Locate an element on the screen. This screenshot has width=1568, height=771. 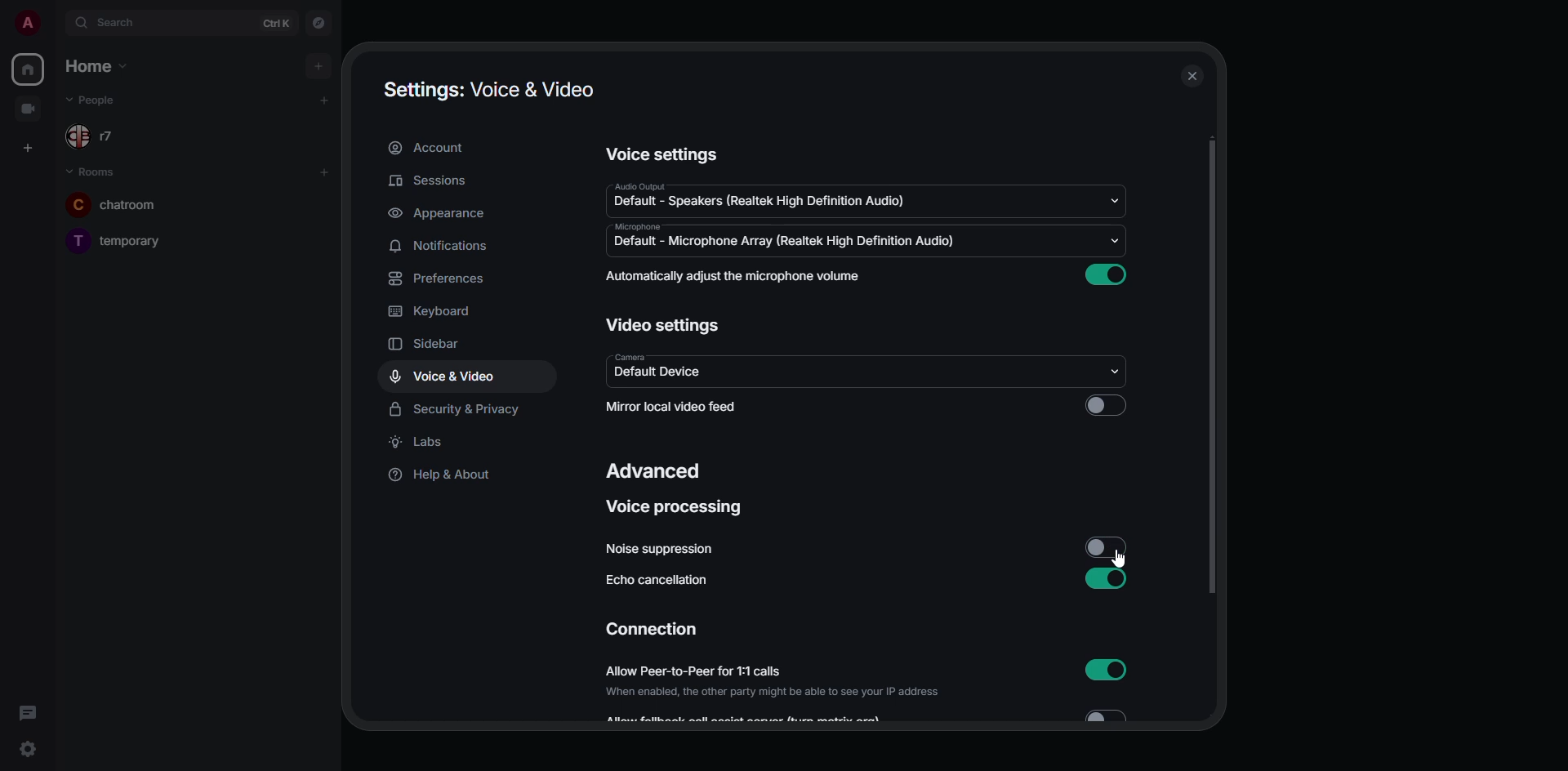
create space is located at coordinates (26, 146).